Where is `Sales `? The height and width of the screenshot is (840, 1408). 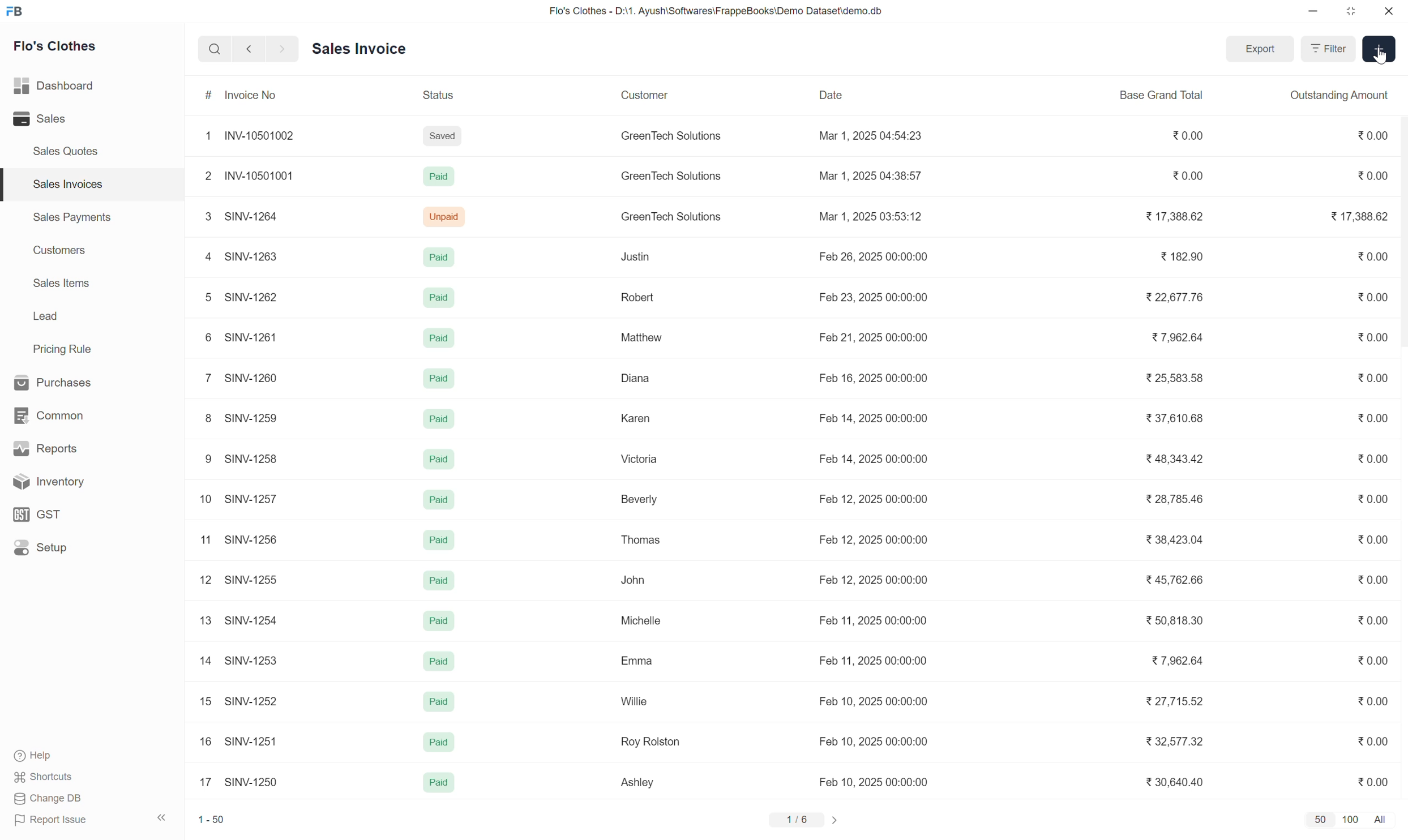 Sales  is located at coordinates (64, 119).